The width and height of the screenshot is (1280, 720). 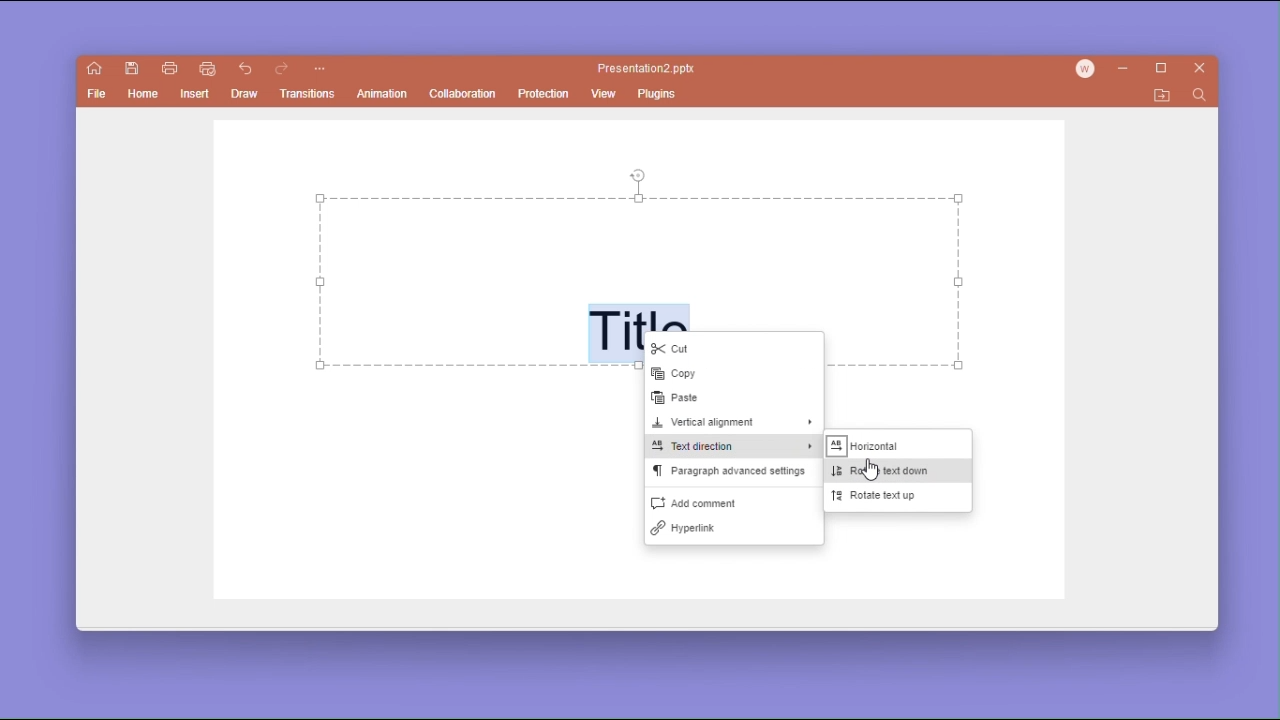 I want to click on rotate tool, so click(x=639, y=174).